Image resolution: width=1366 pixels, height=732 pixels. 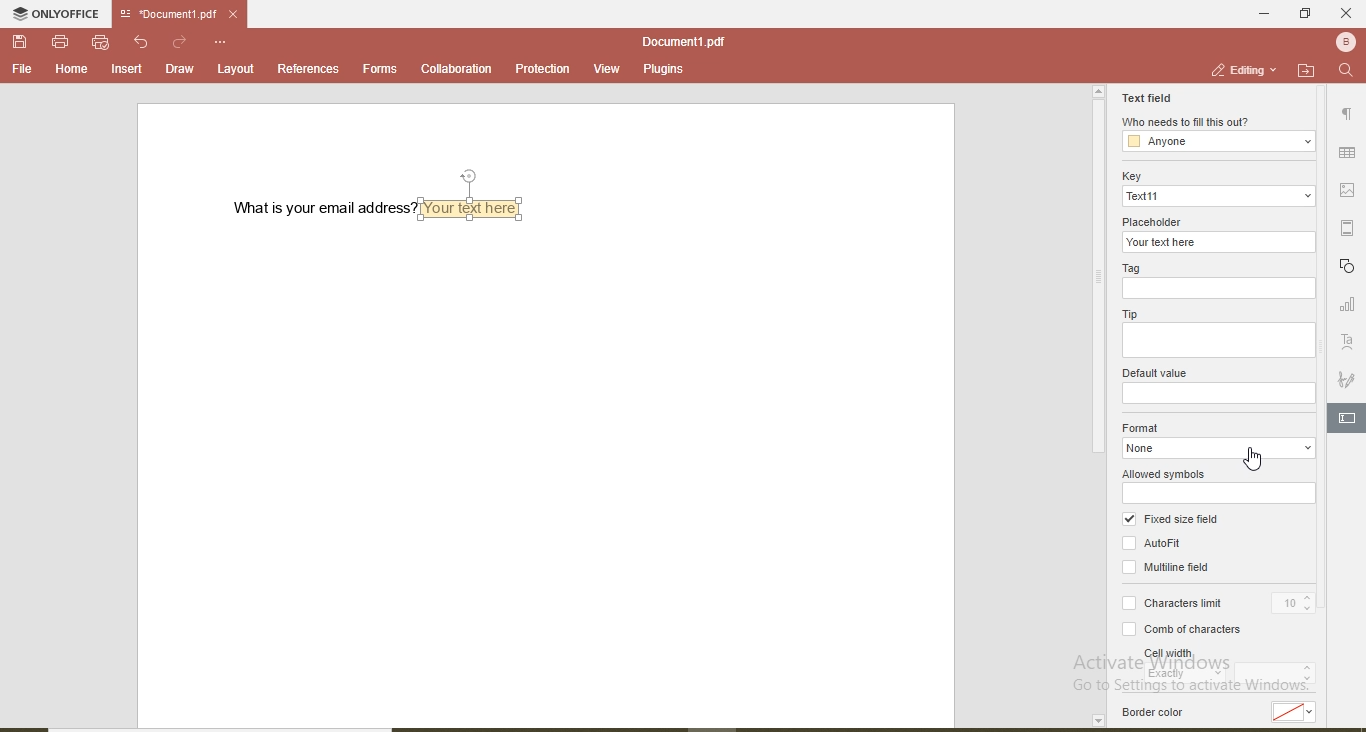 What do you see at coordinates (1184, 677) in the screenshot?
I see `exactly` at bounding box center [1184, 677].